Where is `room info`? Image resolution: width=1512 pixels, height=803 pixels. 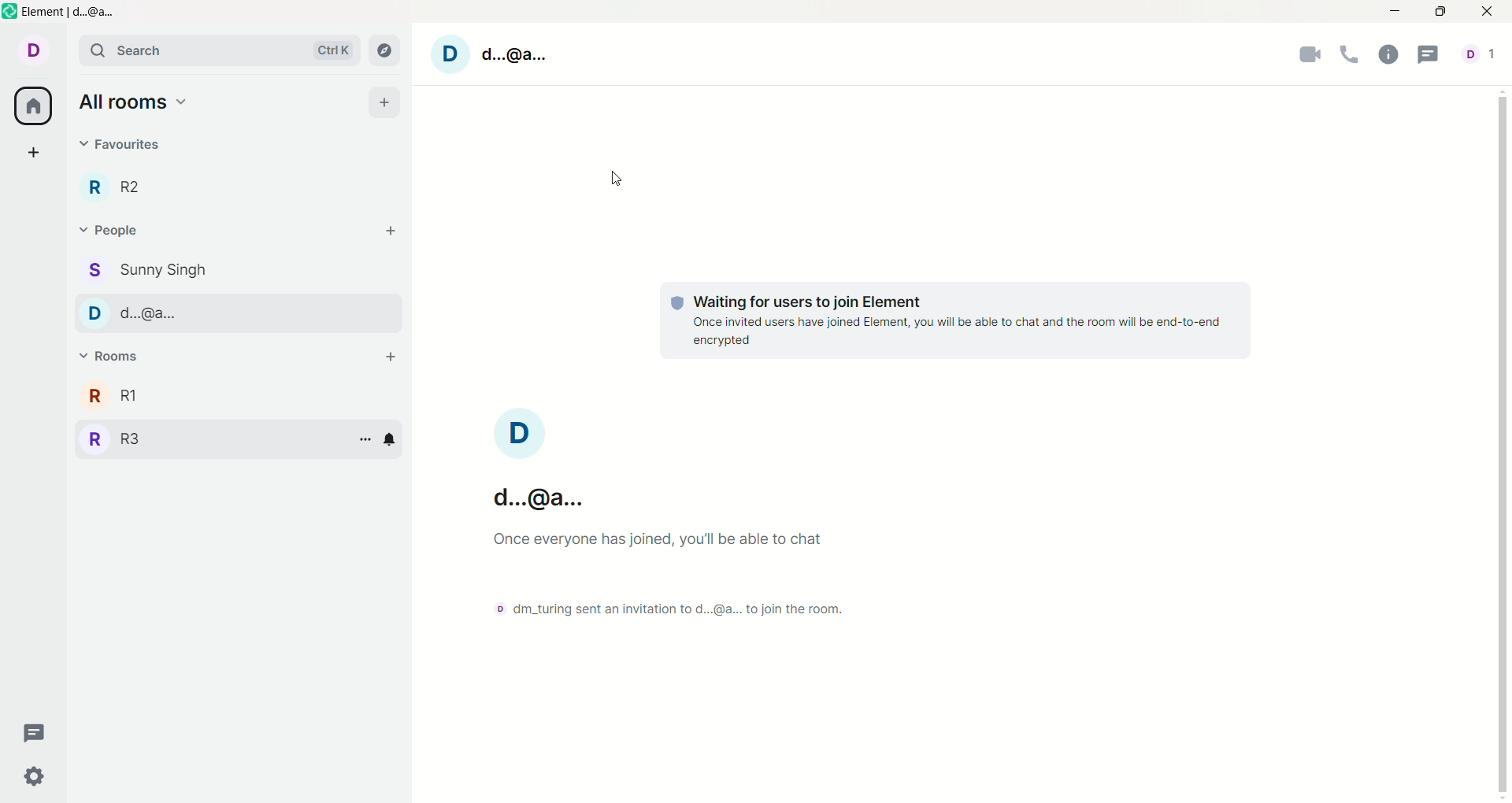
room info is located at coordinates (1388, 56).